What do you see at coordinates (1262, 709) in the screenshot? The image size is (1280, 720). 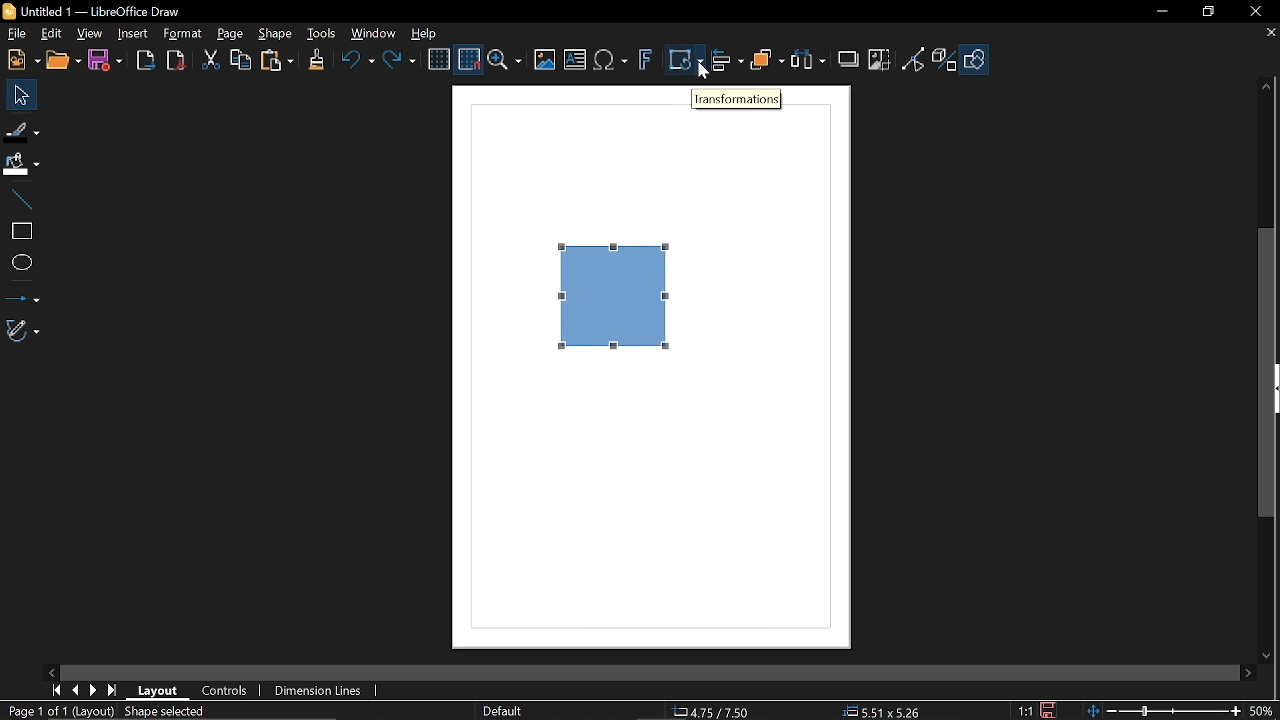 I see `50% (Current zoom)` at bounding box center [1262, 709].